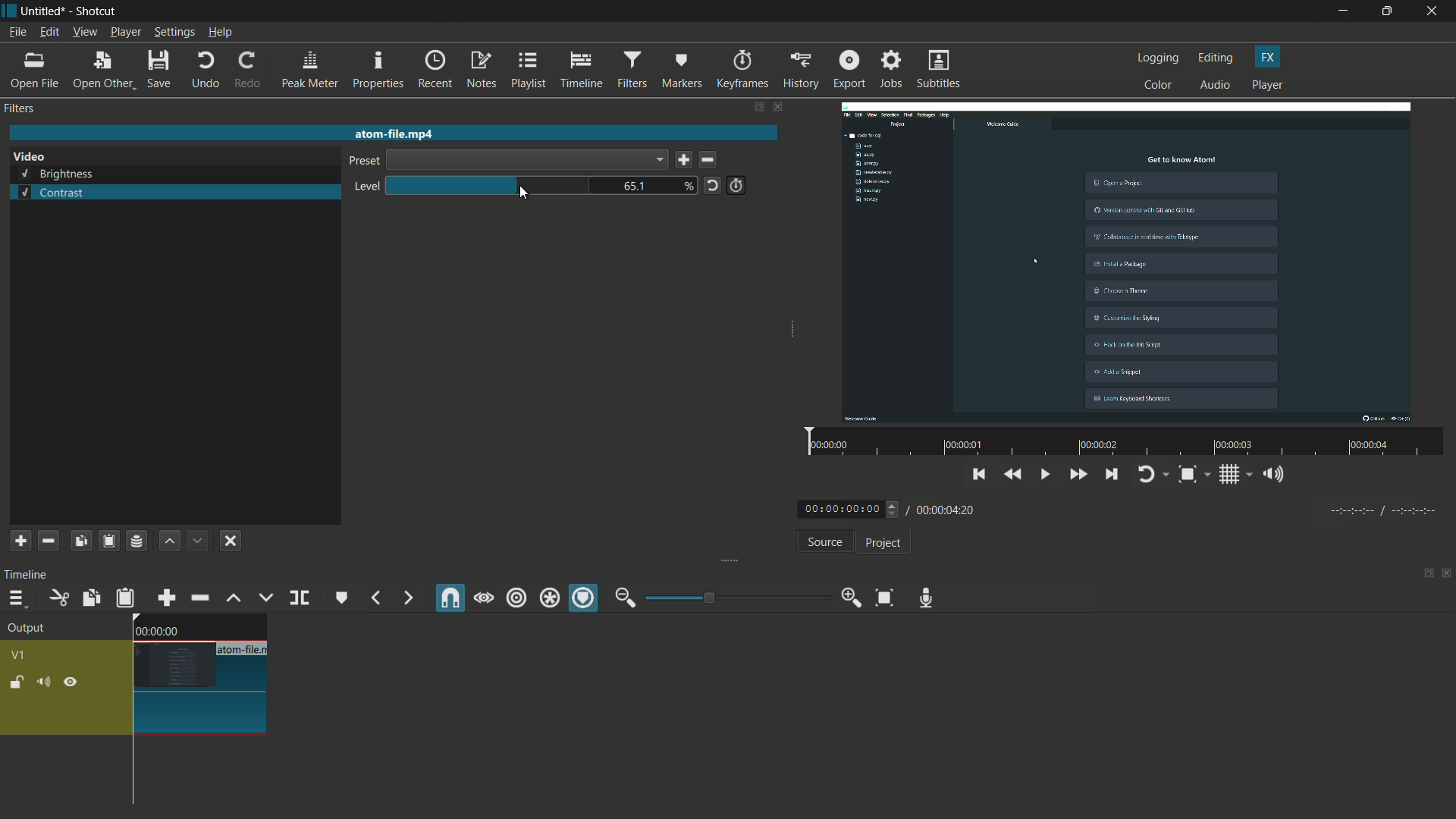 This screenshot has width=1456, height=819. What do you see at coordinates (246, 70) in the screenshot?
I see `redo` at bounding box center [246, 70].